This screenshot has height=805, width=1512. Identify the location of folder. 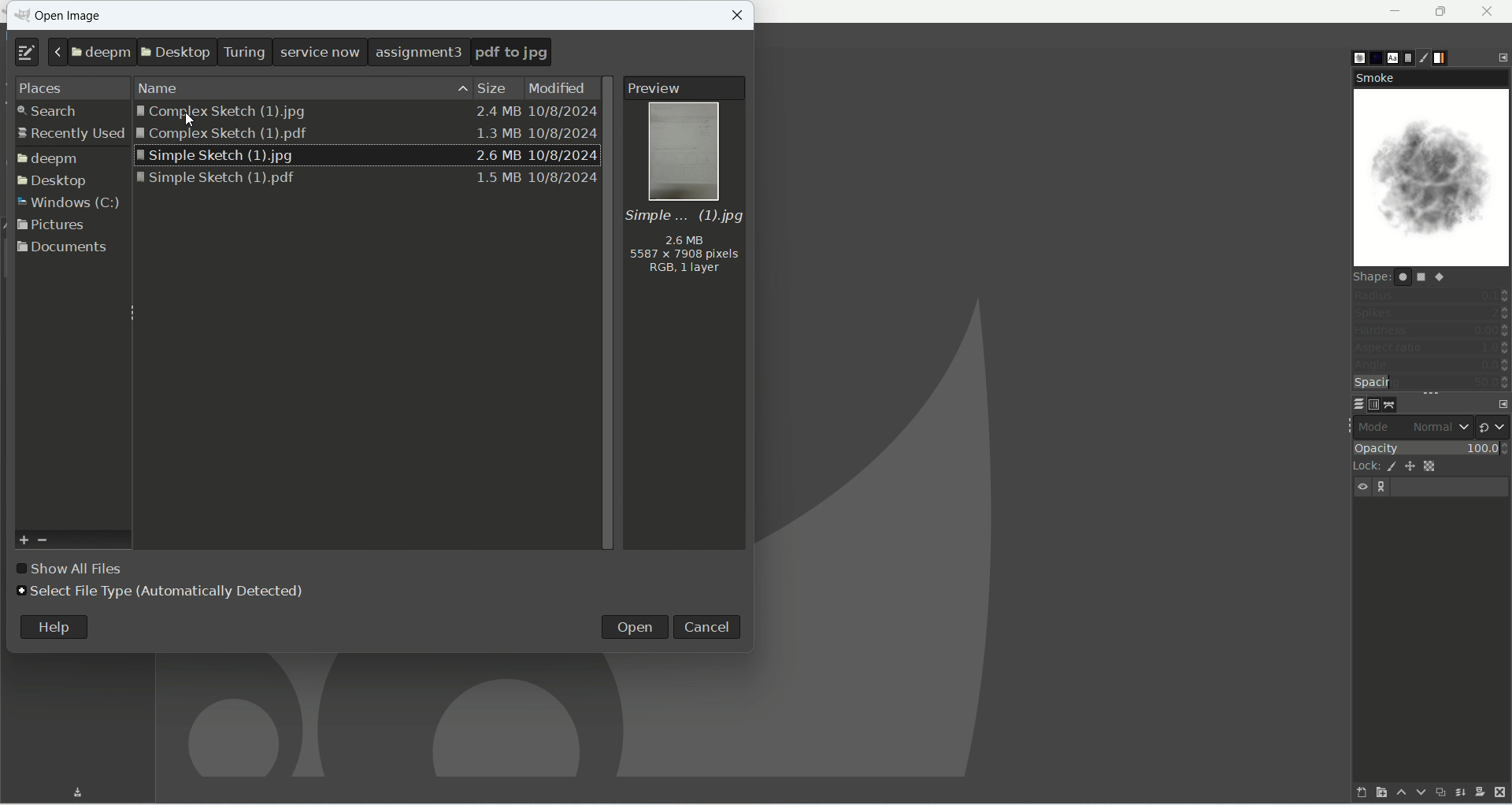
(50, 159).